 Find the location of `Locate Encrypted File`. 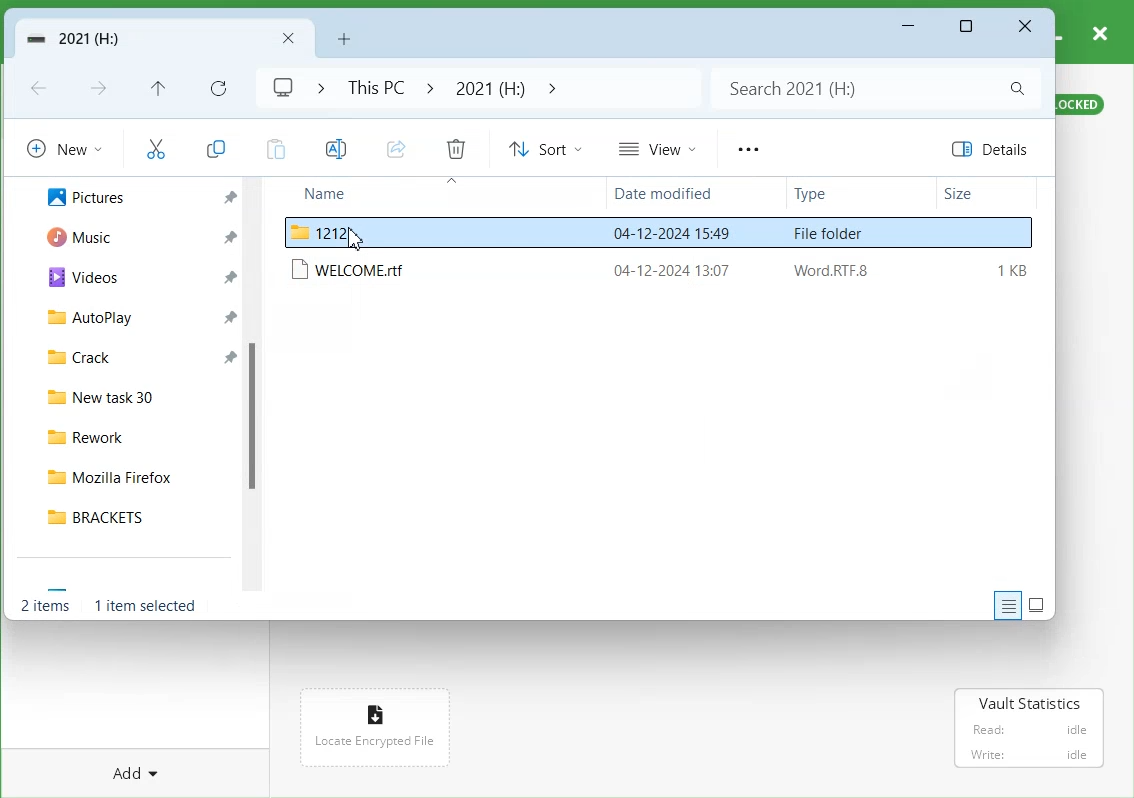

Locate Encrypted File is located at coordinates (372, 742).